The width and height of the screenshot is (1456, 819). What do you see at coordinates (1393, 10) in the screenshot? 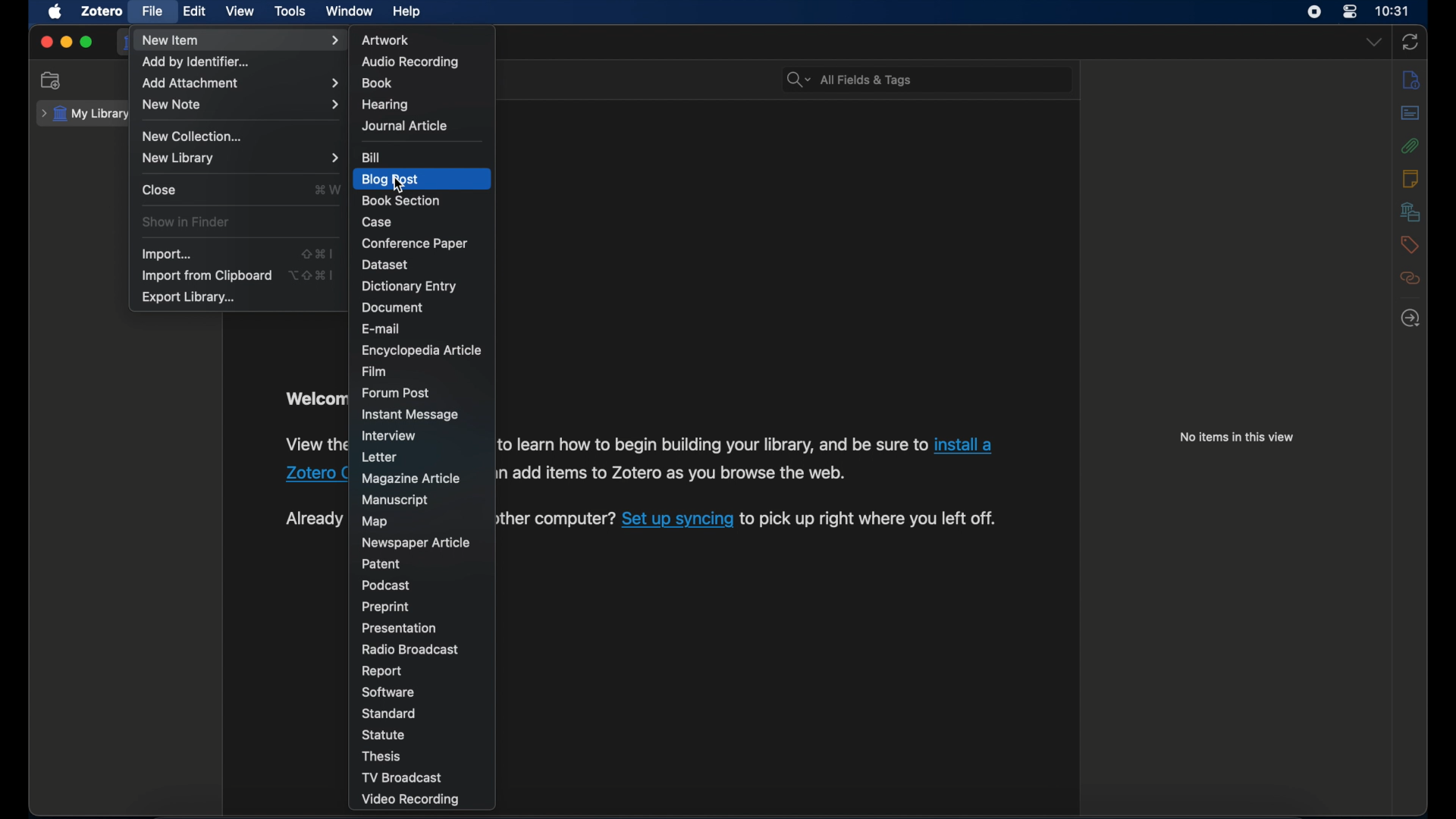
I see `time` at bounding box center [1393, 10].